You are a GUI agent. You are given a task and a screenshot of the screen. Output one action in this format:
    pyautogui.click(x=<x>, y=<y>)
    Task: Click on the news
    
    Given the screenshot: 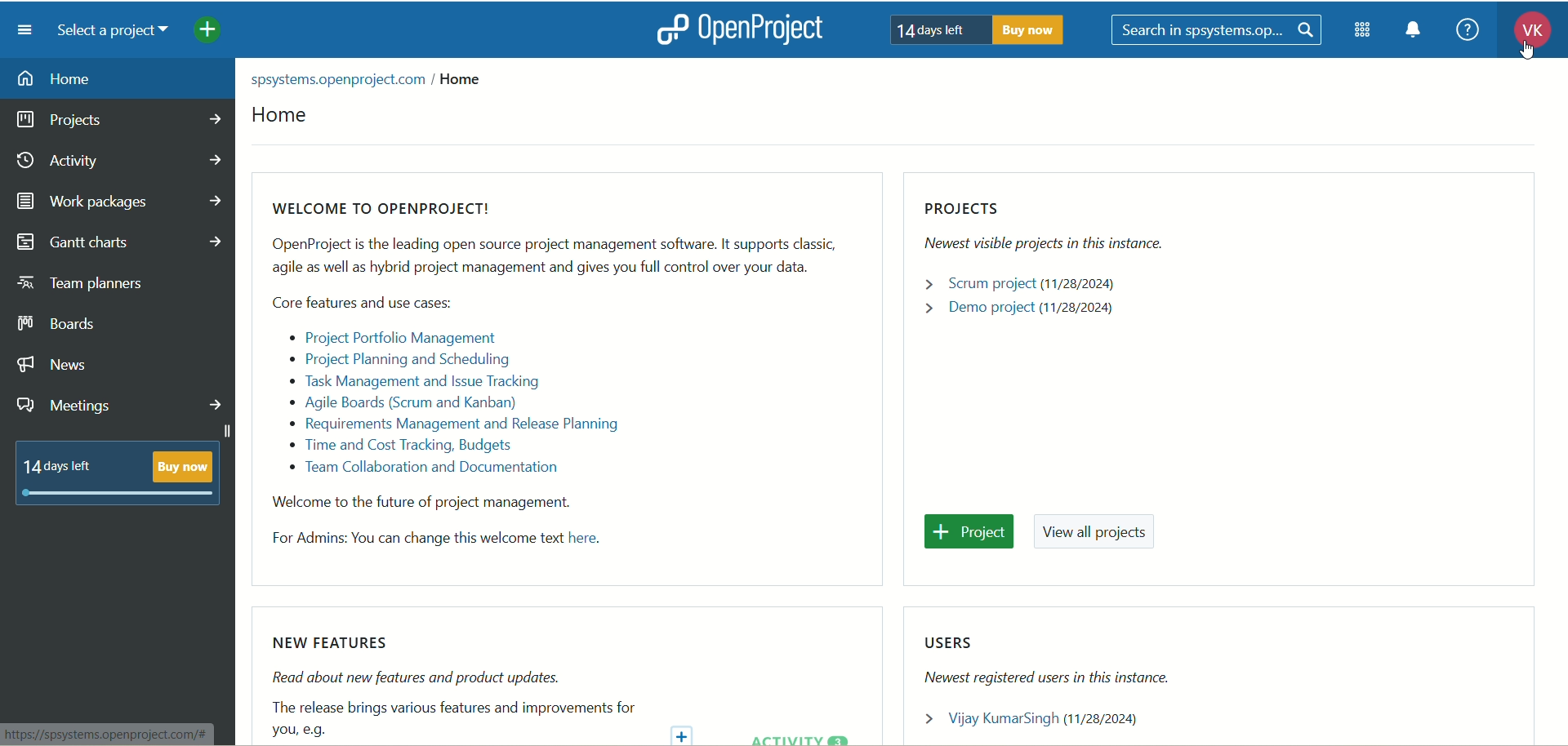 What is the action you would take?
    pyautogui.click(x=53, y=366)
    